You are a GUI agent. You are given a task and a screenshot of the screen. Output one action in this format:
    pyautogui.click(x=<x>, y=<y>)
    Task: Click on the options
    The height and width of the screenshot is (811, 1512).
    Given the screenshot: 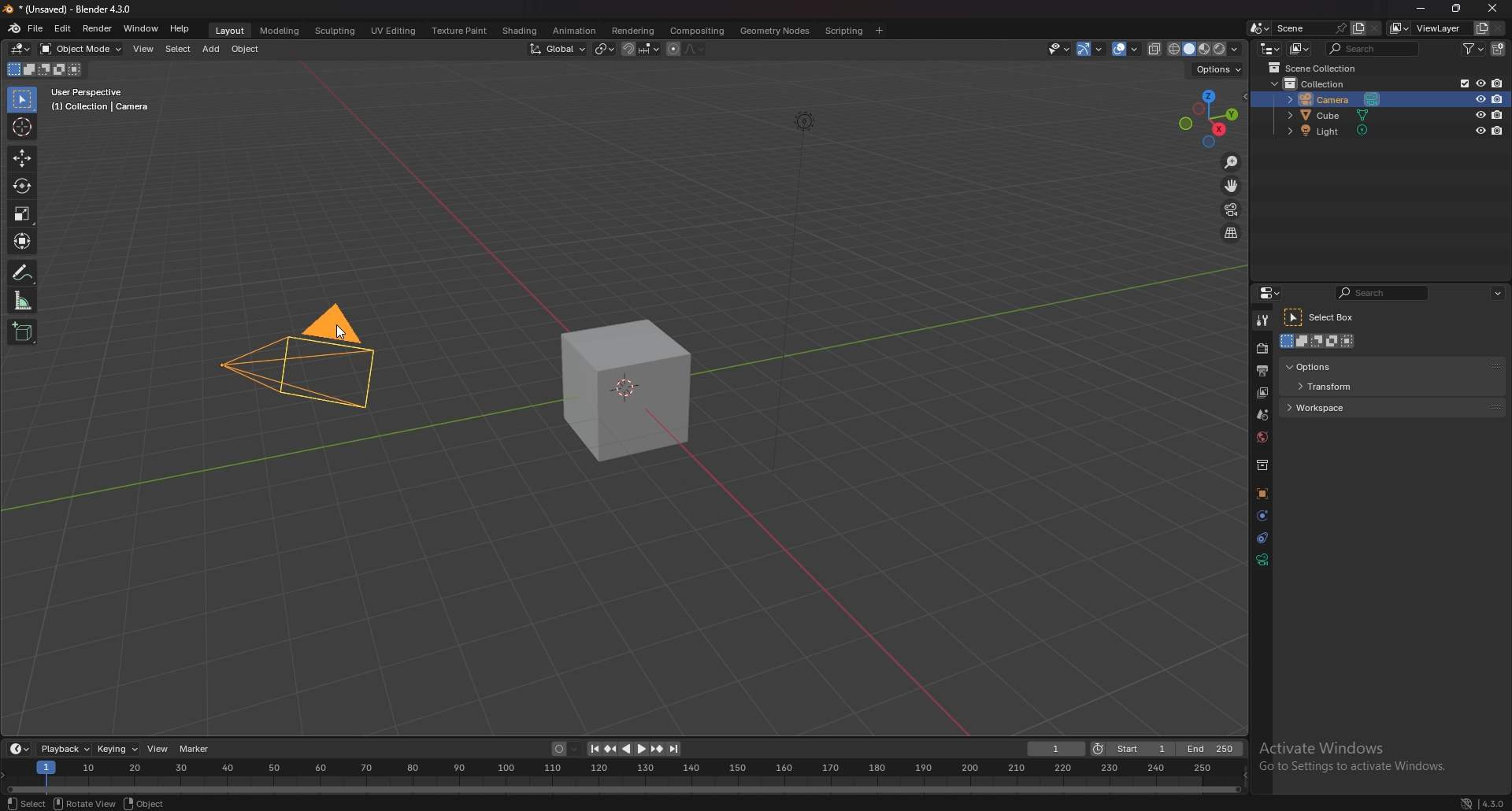 What is the action you would take?
    pyautogui.click(x=1497, y=291)
    